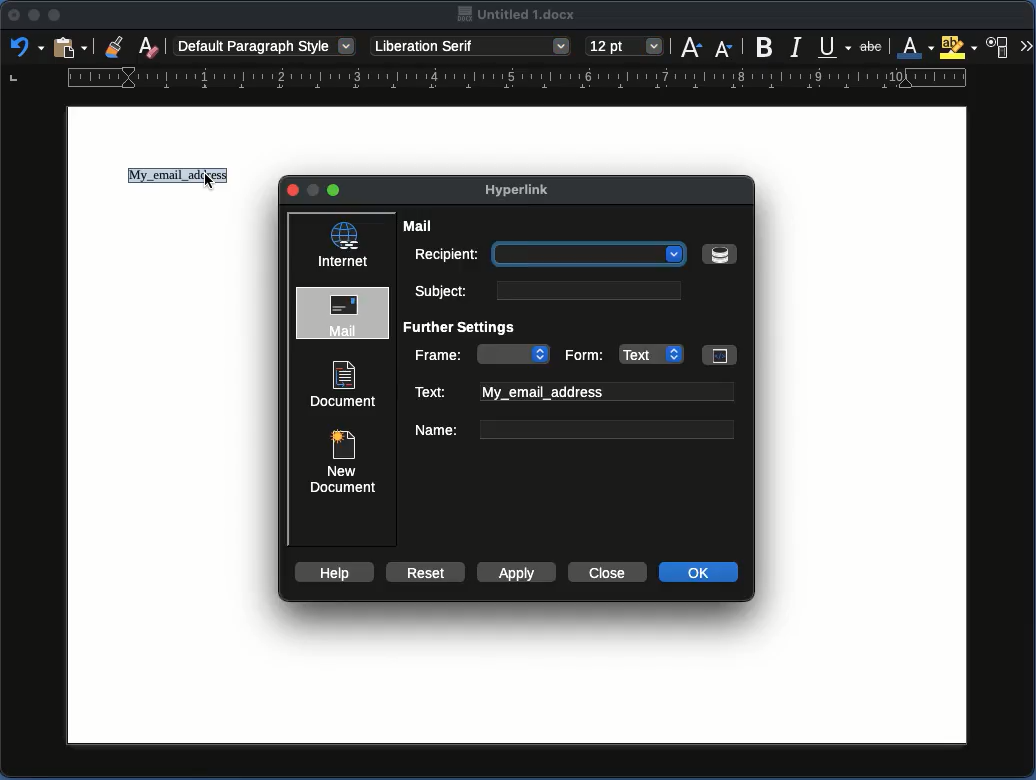 The height and width of the screenshot is (780, 1036). What do you see at coordinates (466, 328) in the screenshot?
I see `Further settings` at bounding box center [466, 328].